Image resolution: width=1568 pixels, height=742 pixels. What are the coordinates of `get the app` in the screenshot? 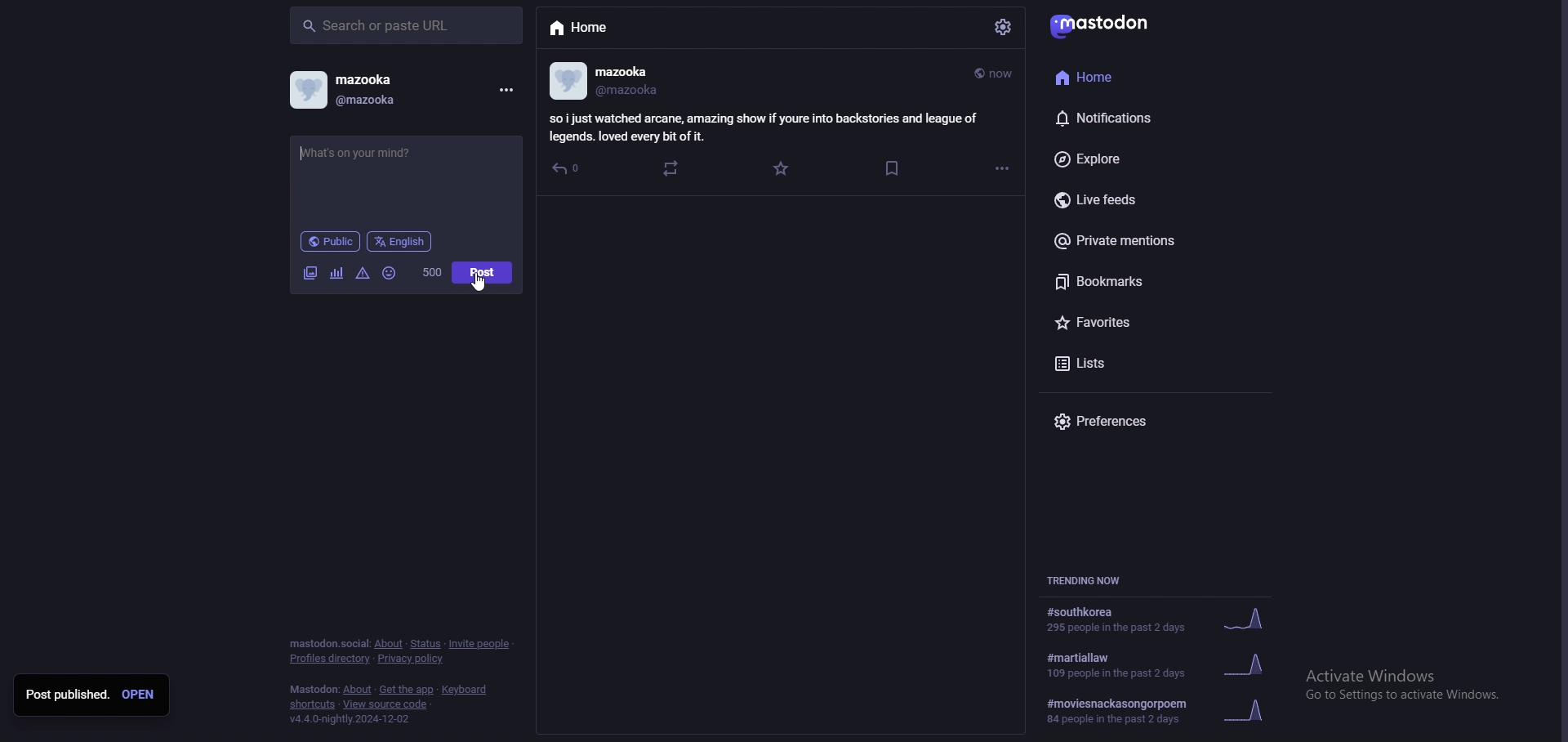 It's located at (409, 689).